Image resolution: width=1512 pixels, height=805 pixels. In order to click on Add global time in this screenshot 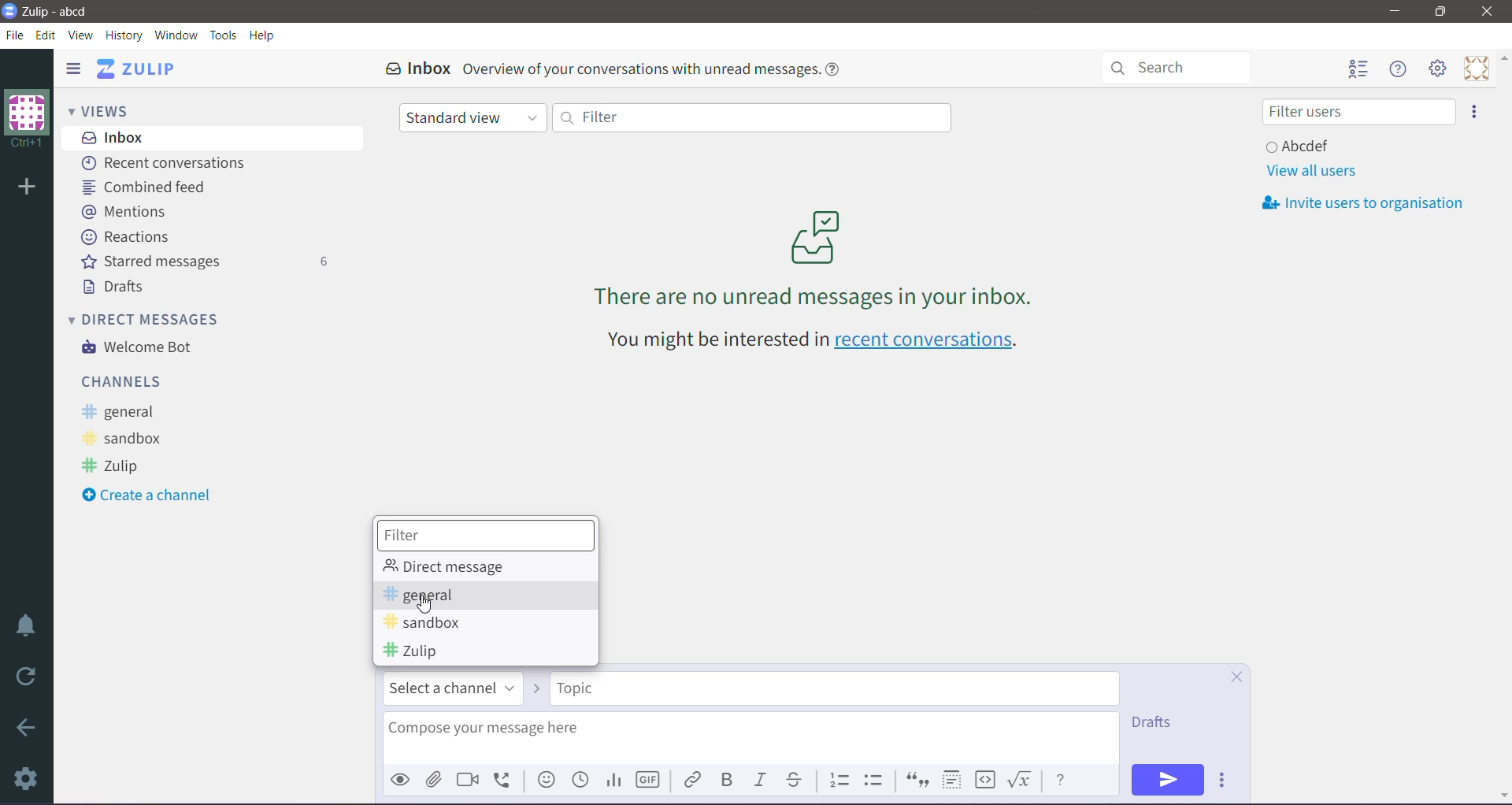, I will do `click(582, 780)`.